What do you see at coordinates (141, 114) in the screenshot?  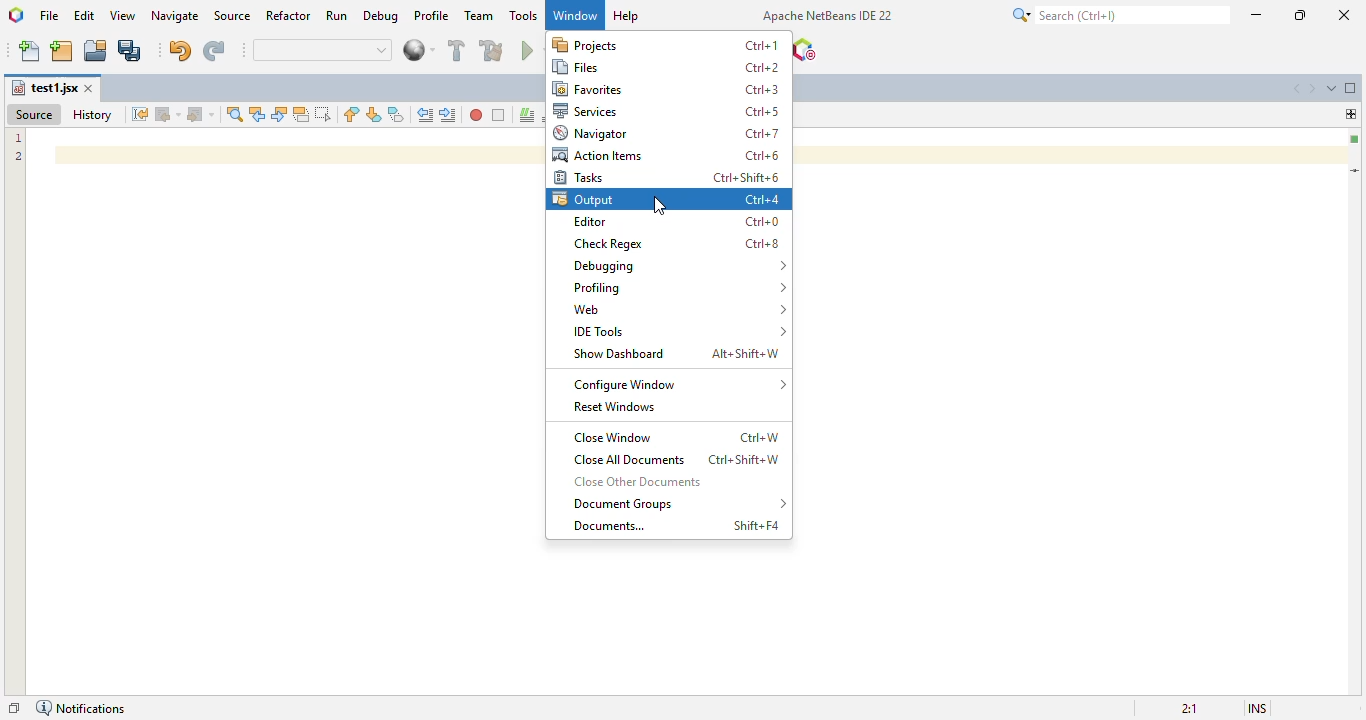 I see `last edit` at bounding box center [141, 114].